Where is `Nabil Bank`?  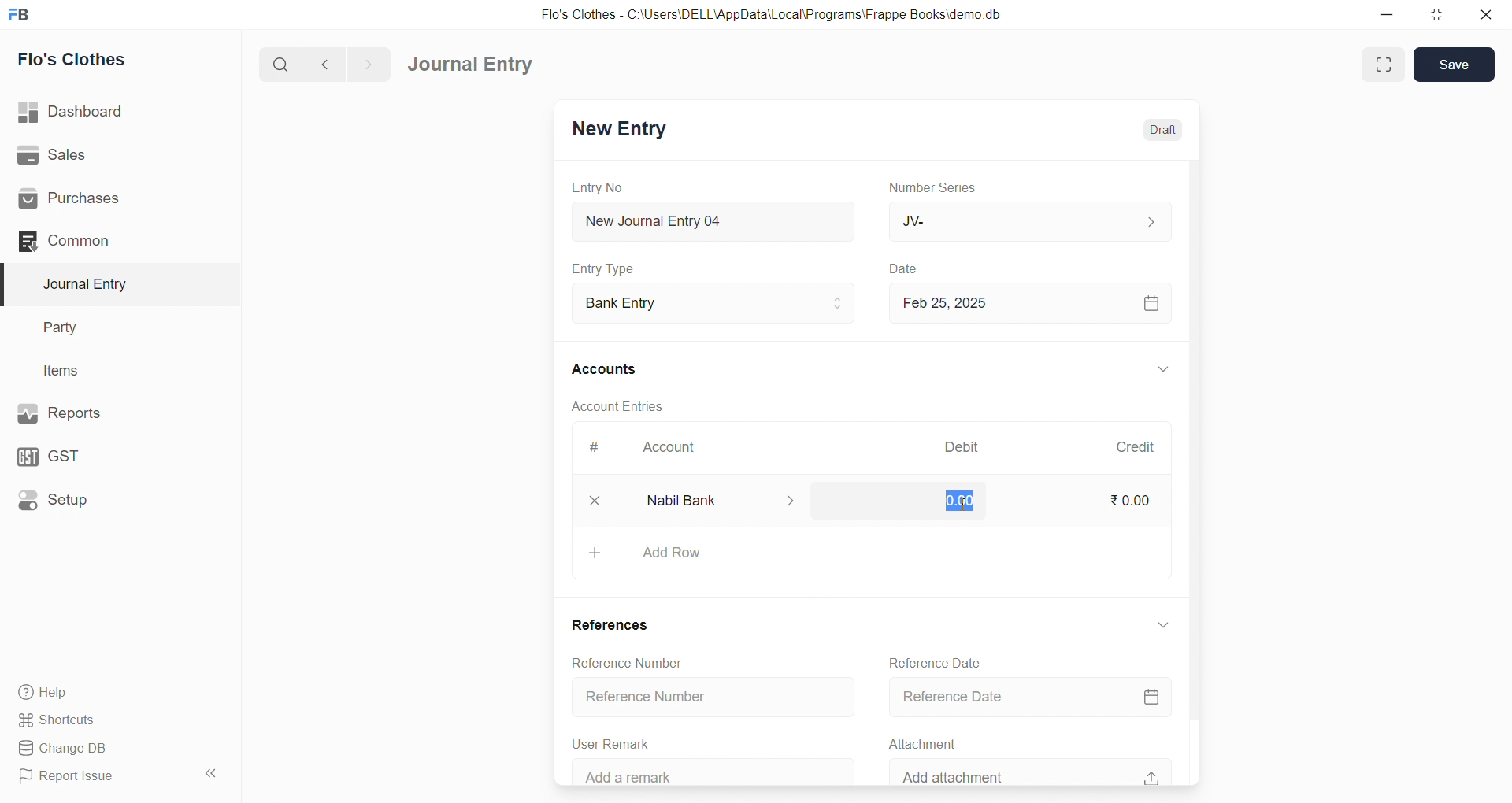
Nabil Bank is located at coordinates (713, 500).